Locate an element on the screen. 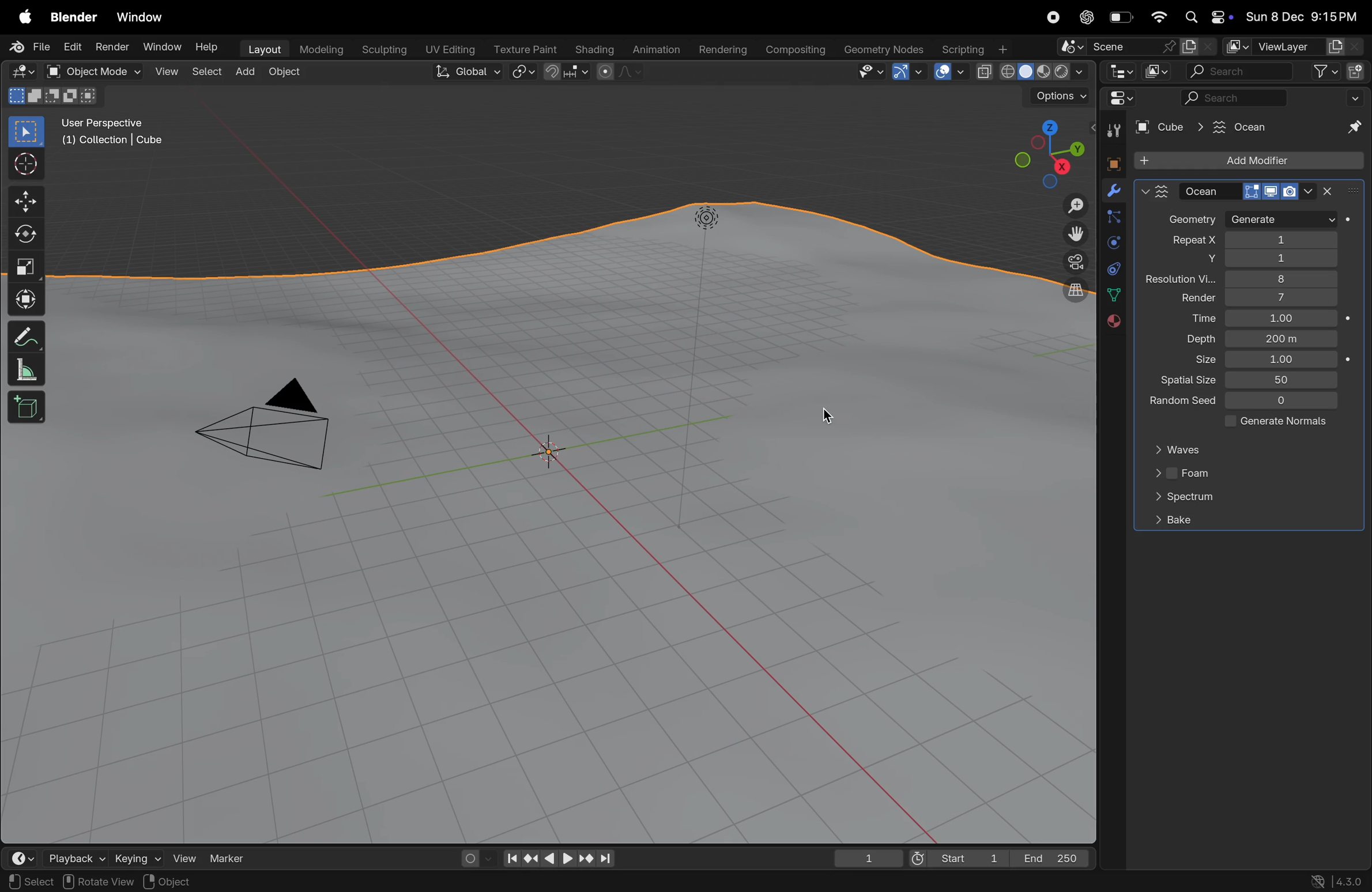 This screenshot has width=1372, height=892. y is located at coordinates (1193, 260).